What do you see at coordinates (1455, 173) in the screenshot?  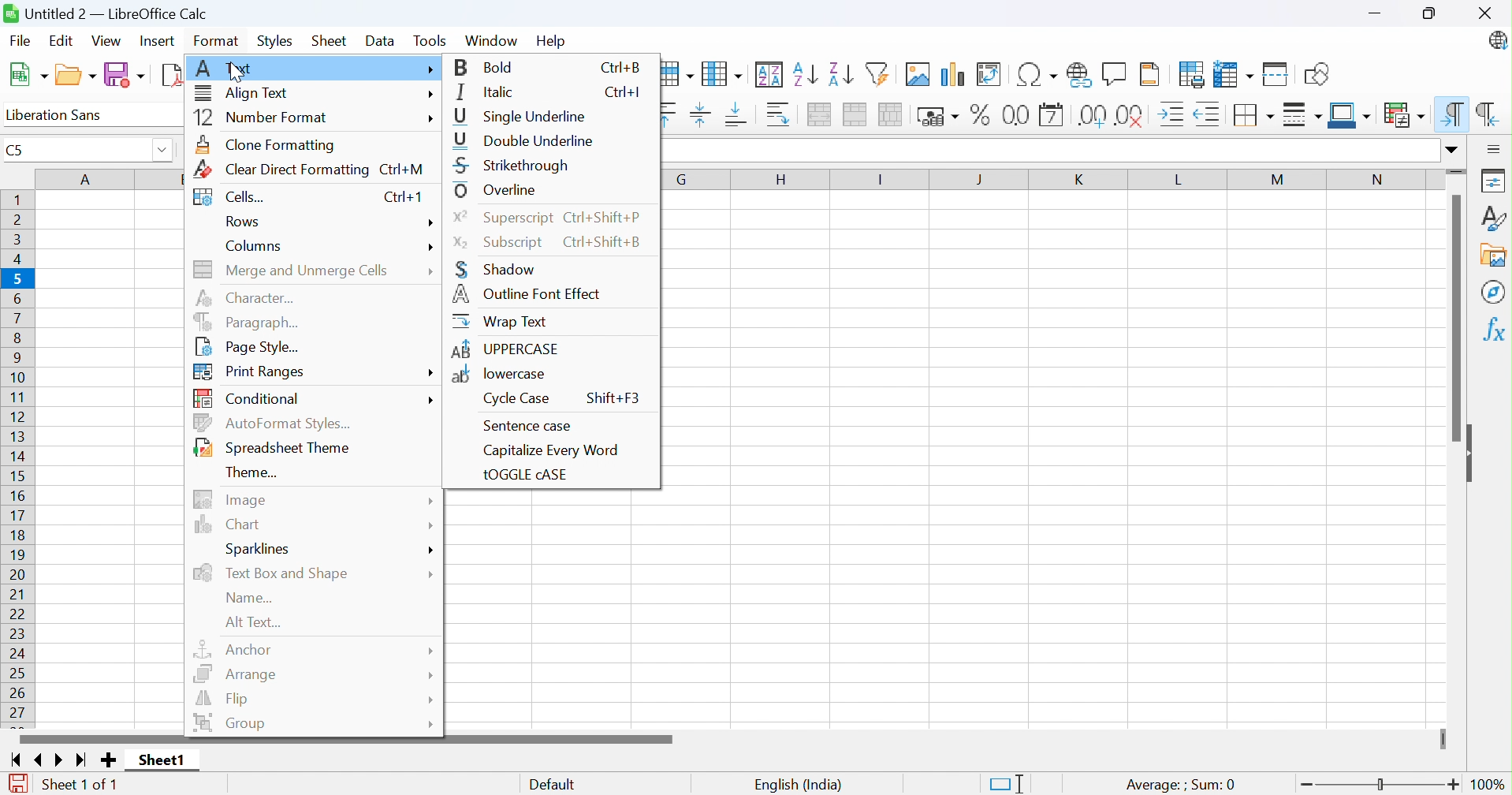 I see `Slider` at bounding box center [1455, 173].